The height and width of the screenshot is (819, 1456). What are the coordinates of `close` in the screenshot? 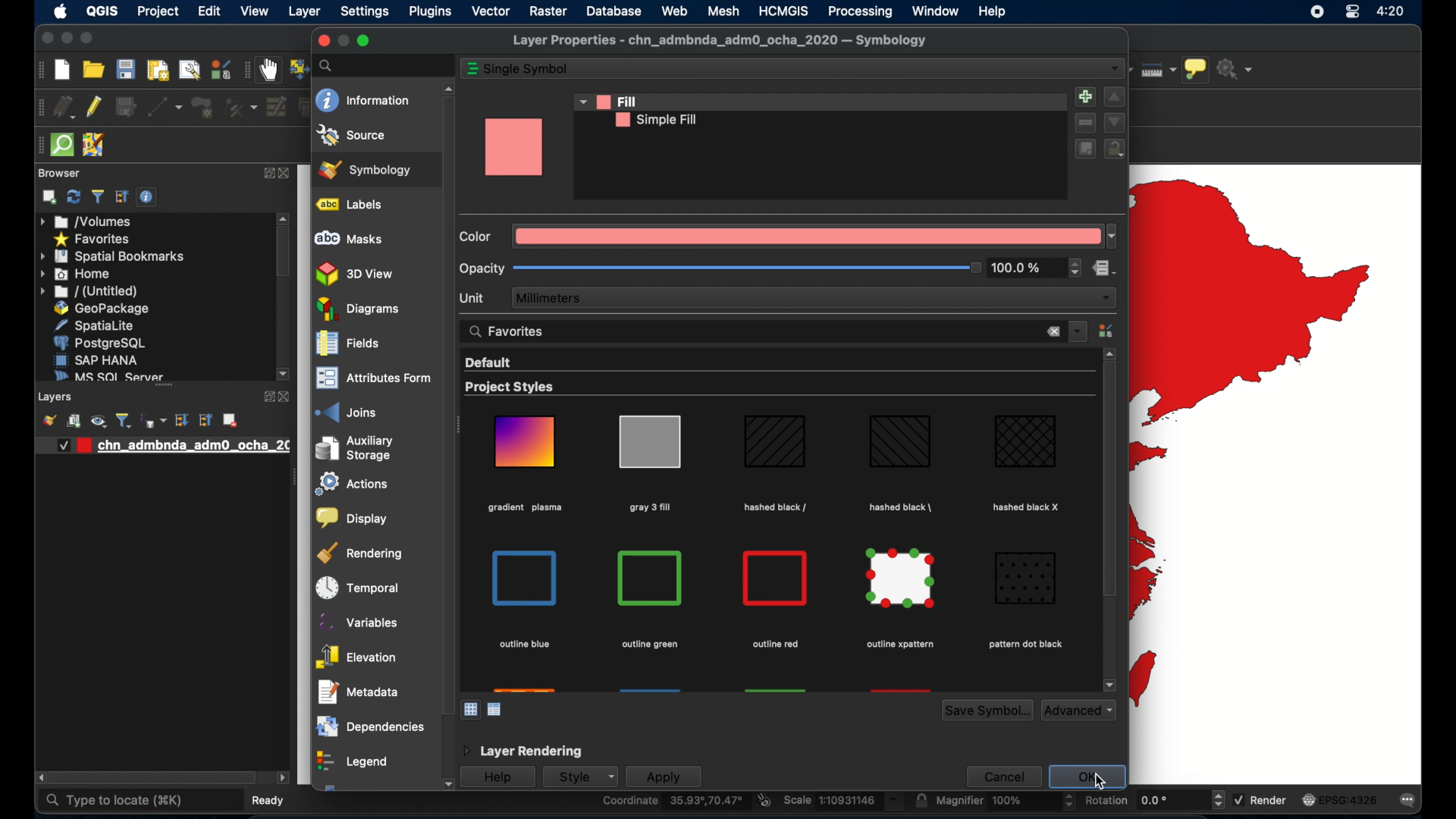 It's located at (290, 174).